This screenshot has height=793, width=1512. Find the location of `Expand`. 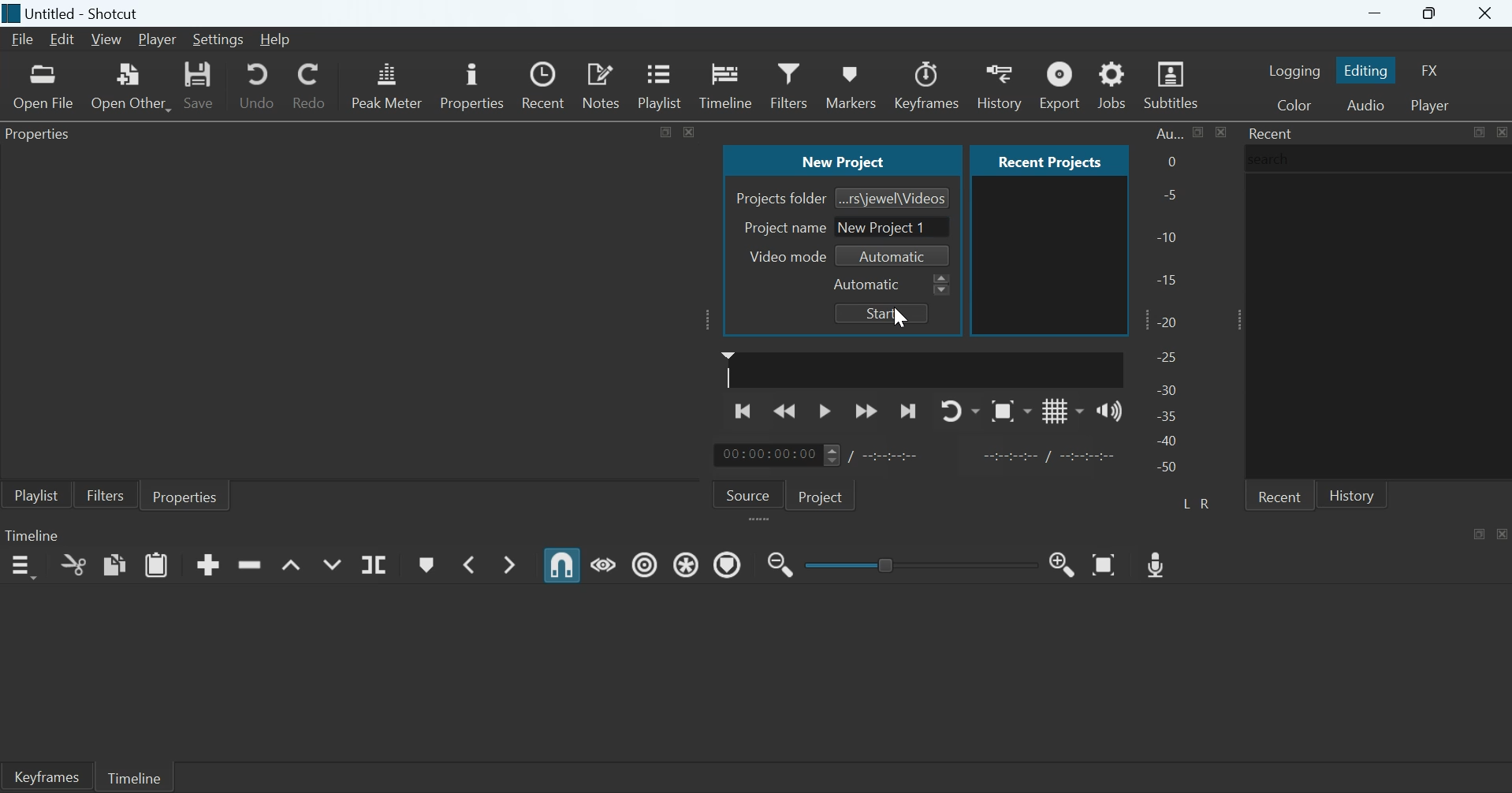

Expand is located at coordinates (1235, 319).